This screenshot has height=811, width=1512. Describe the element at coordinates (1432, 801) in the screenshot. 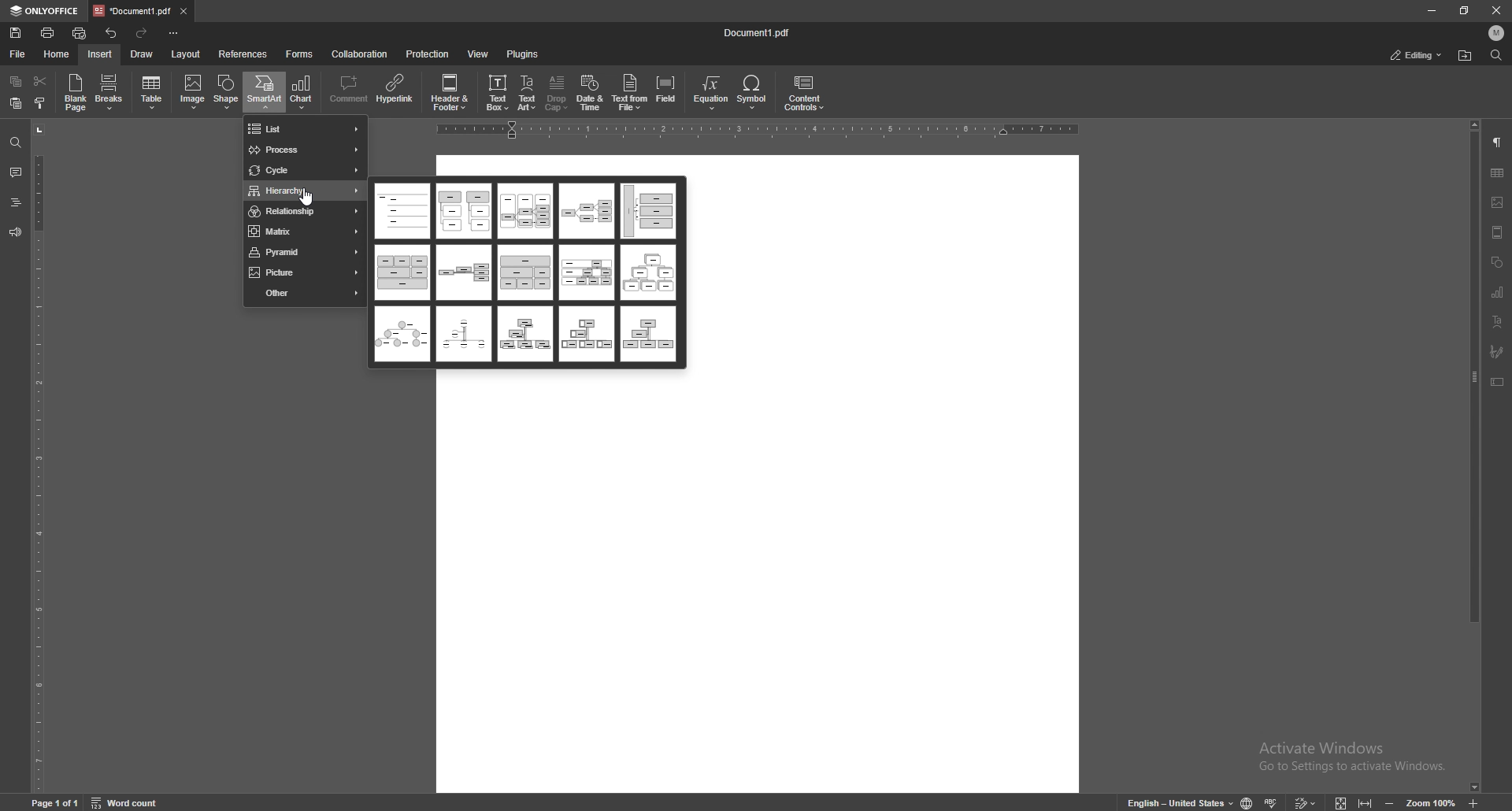

I see `zoom` at that location.